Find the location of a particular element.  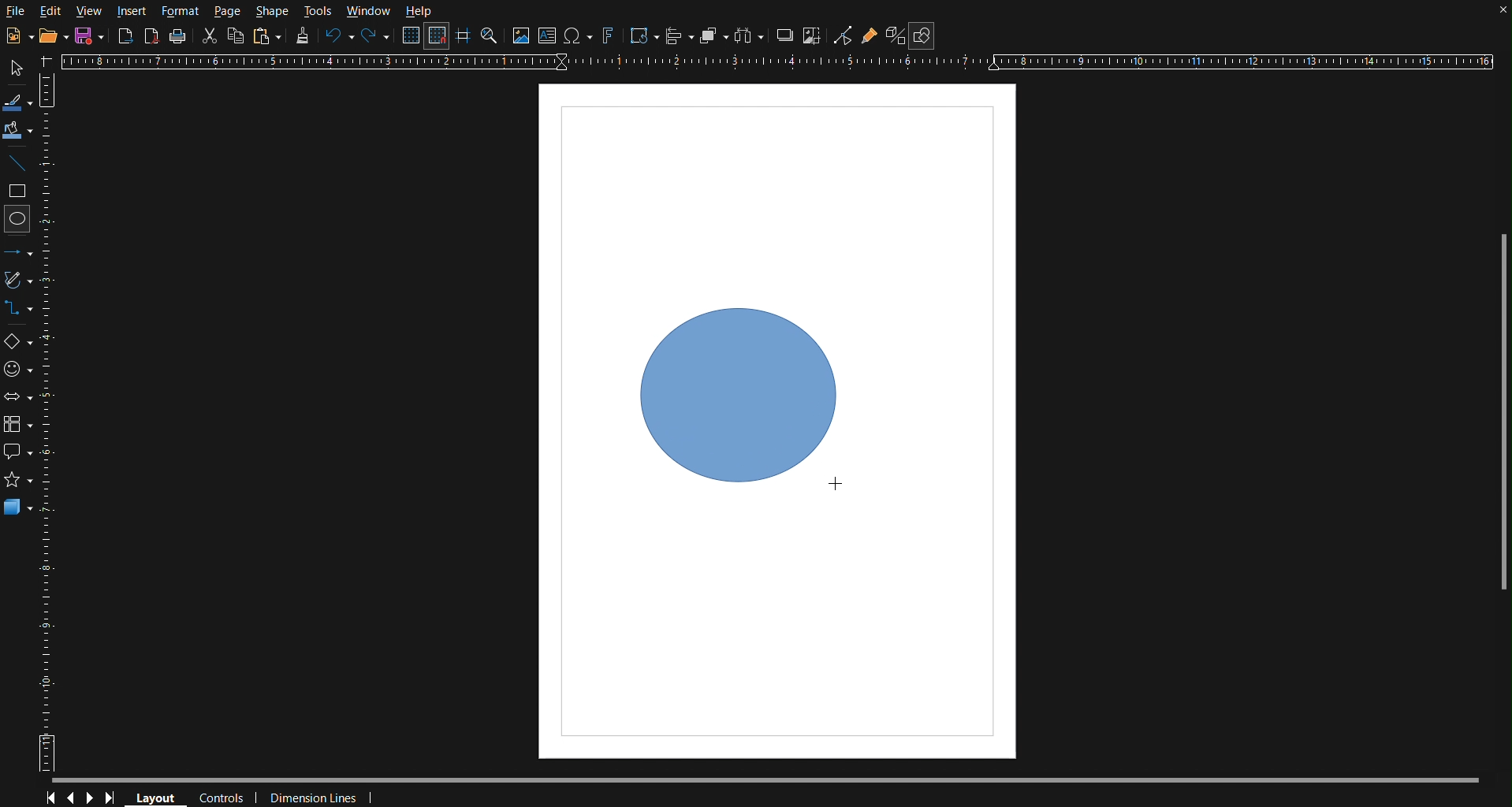

Controls is located at coordinates (223, 795).